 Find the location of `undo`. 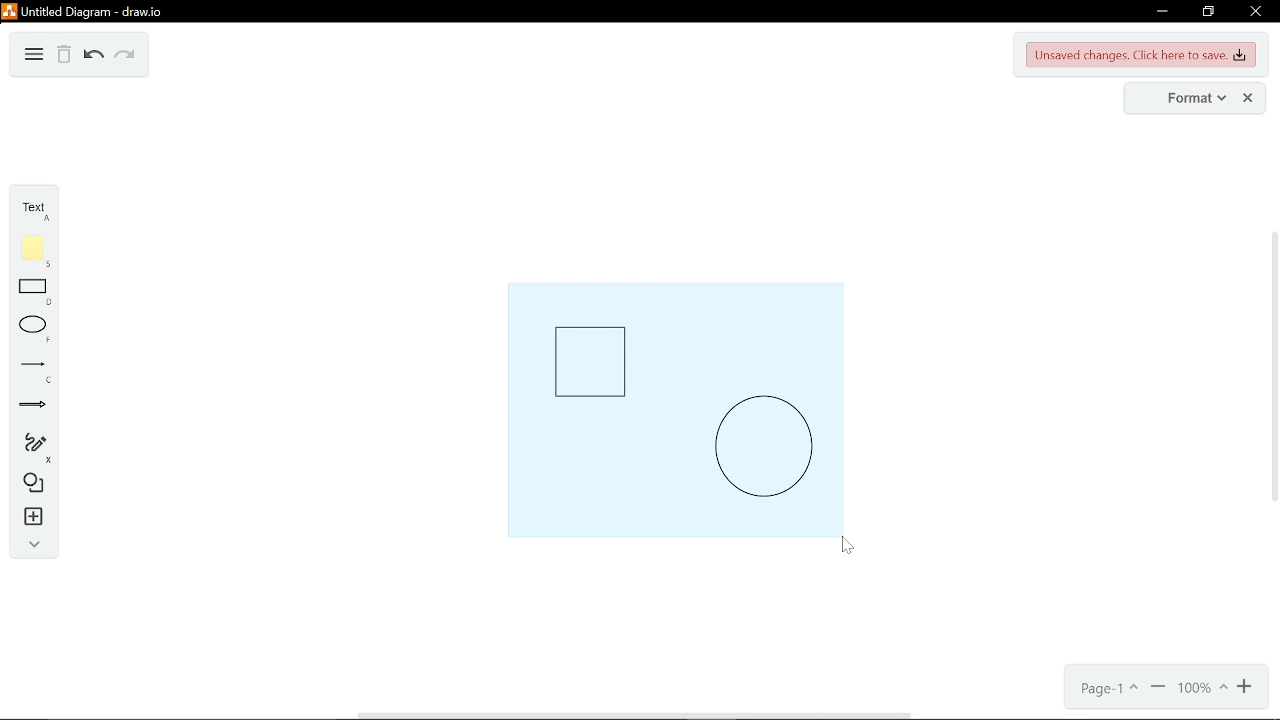

undo is located at coordinates (92, 57).